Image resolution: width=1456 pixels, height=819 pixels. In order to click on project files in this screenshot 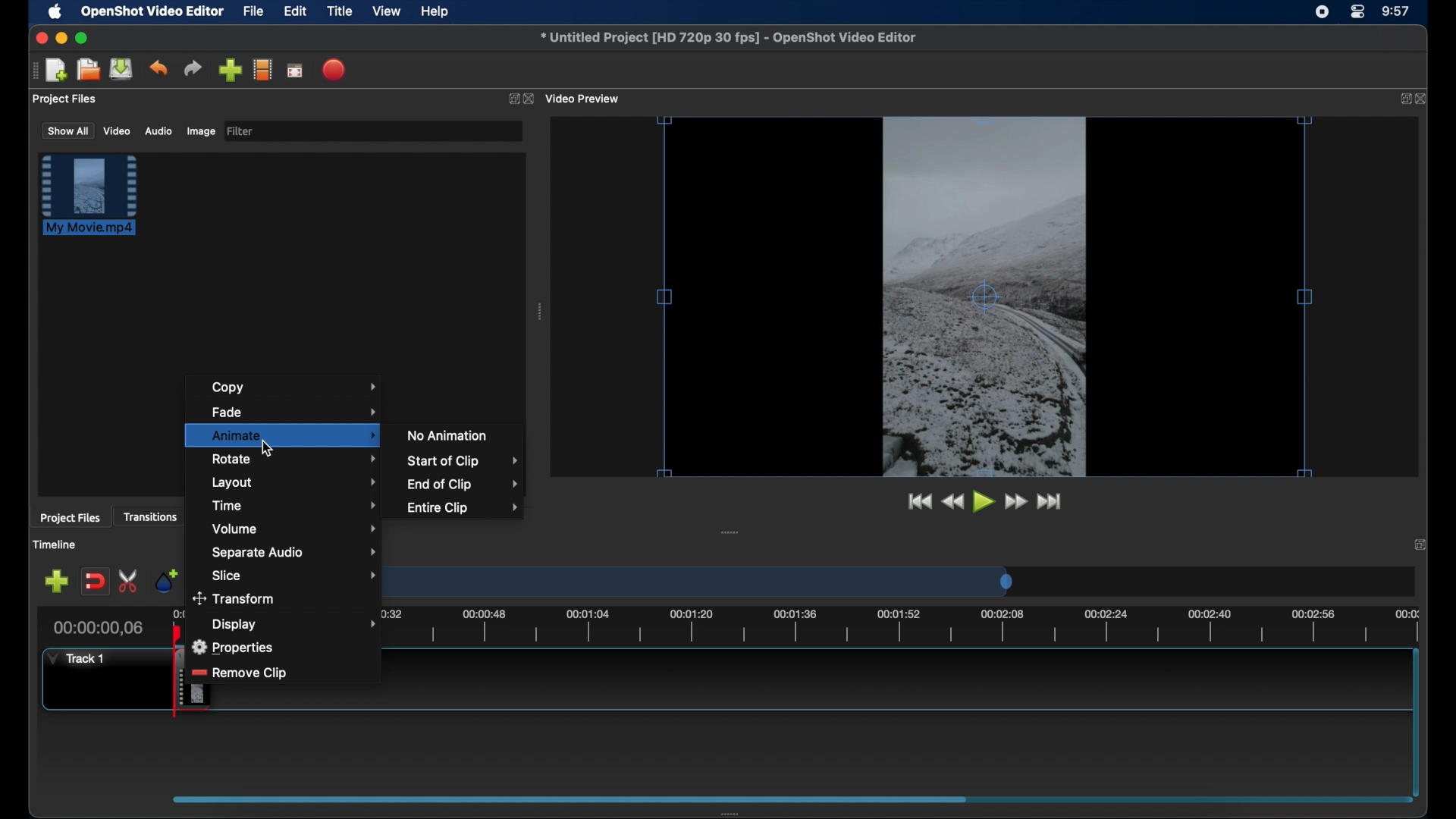, I will do `click(66, 99)`.